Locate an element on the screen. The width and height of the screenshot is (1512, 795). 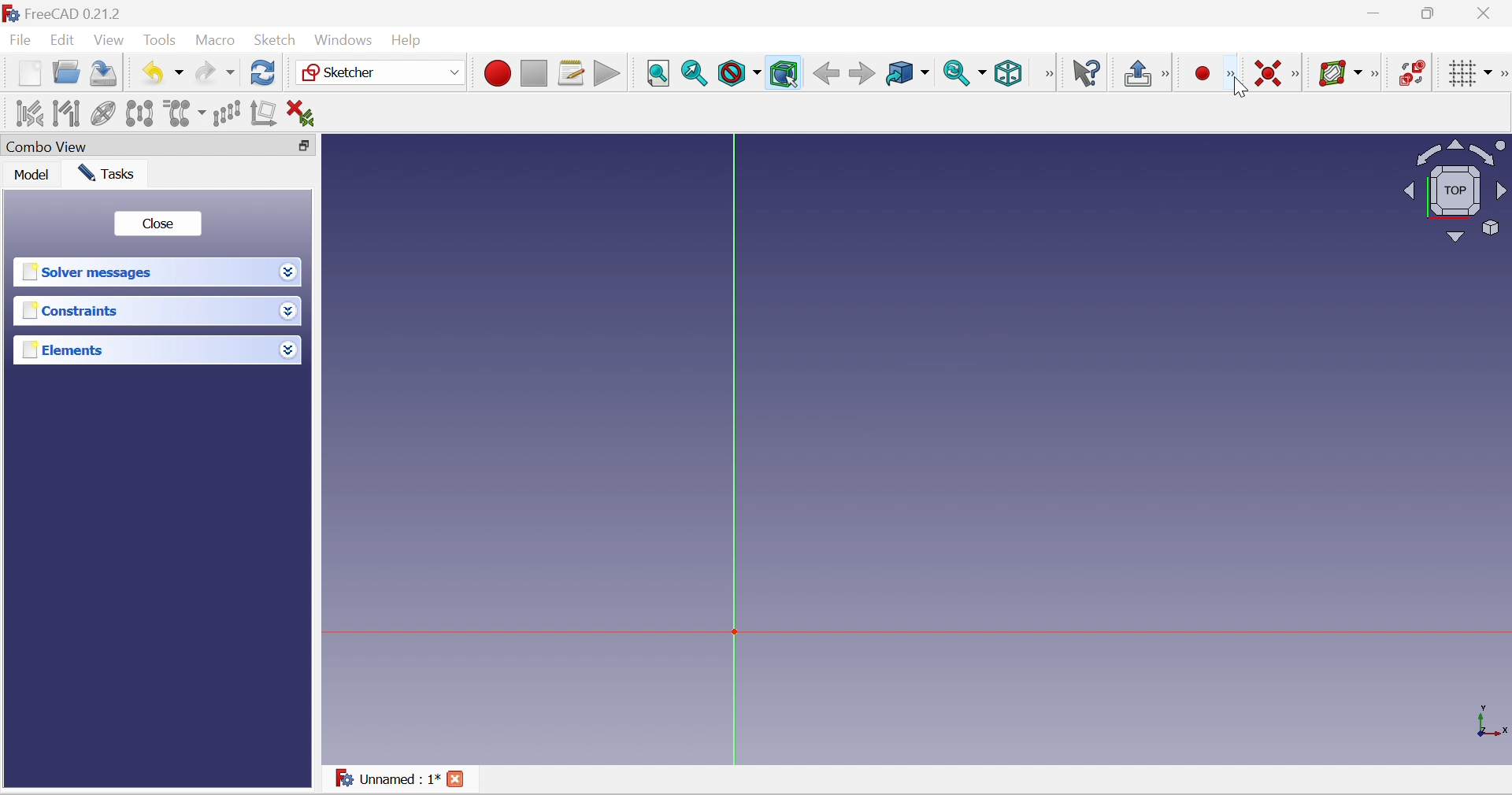
x, y axis is located at coordinates (1488, 720).